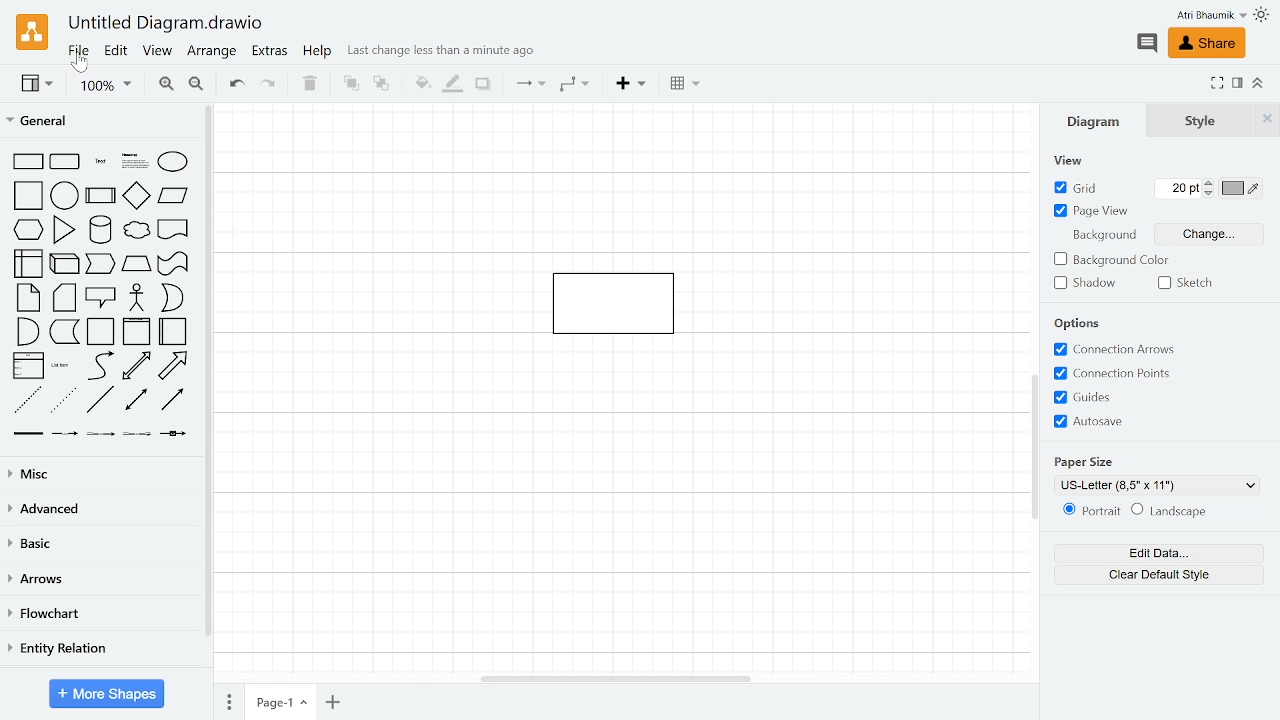  I want to click on pages, so click(226, 701).